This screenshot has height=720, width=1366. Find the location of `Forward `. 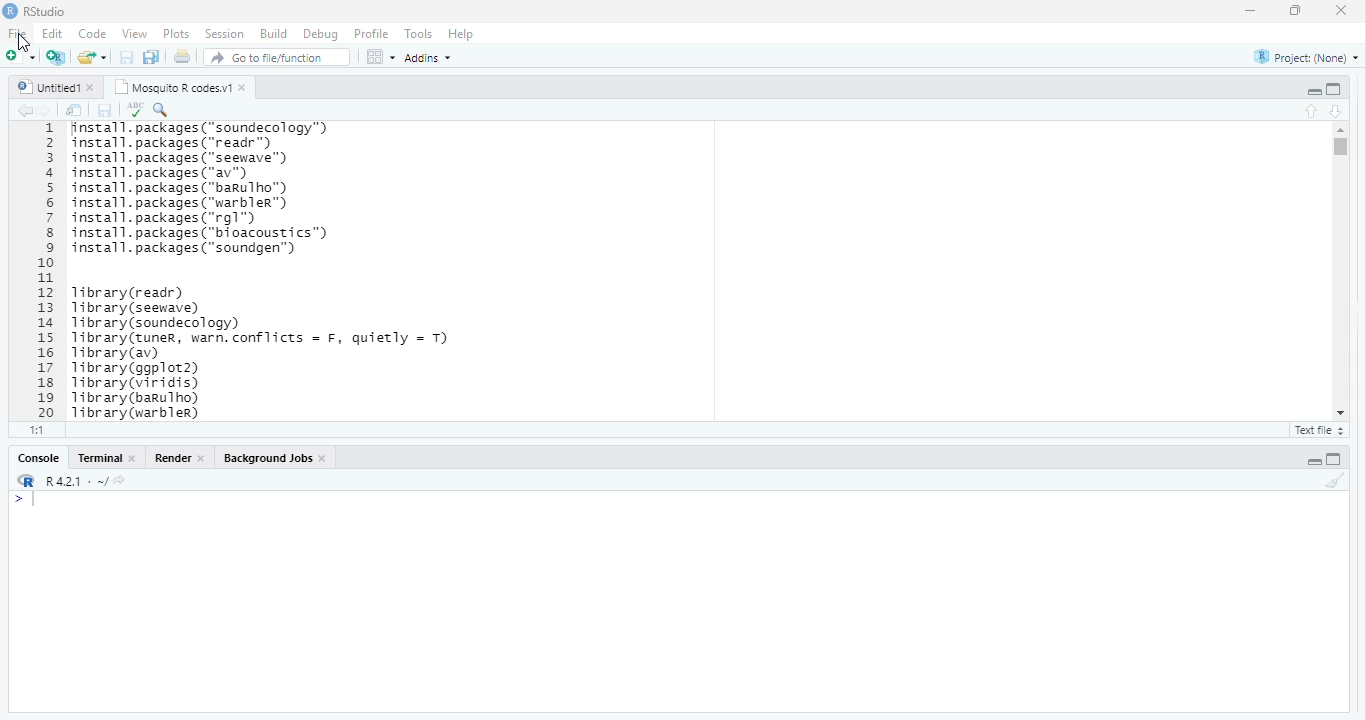

Forward  is located at coordinates (46, 111).